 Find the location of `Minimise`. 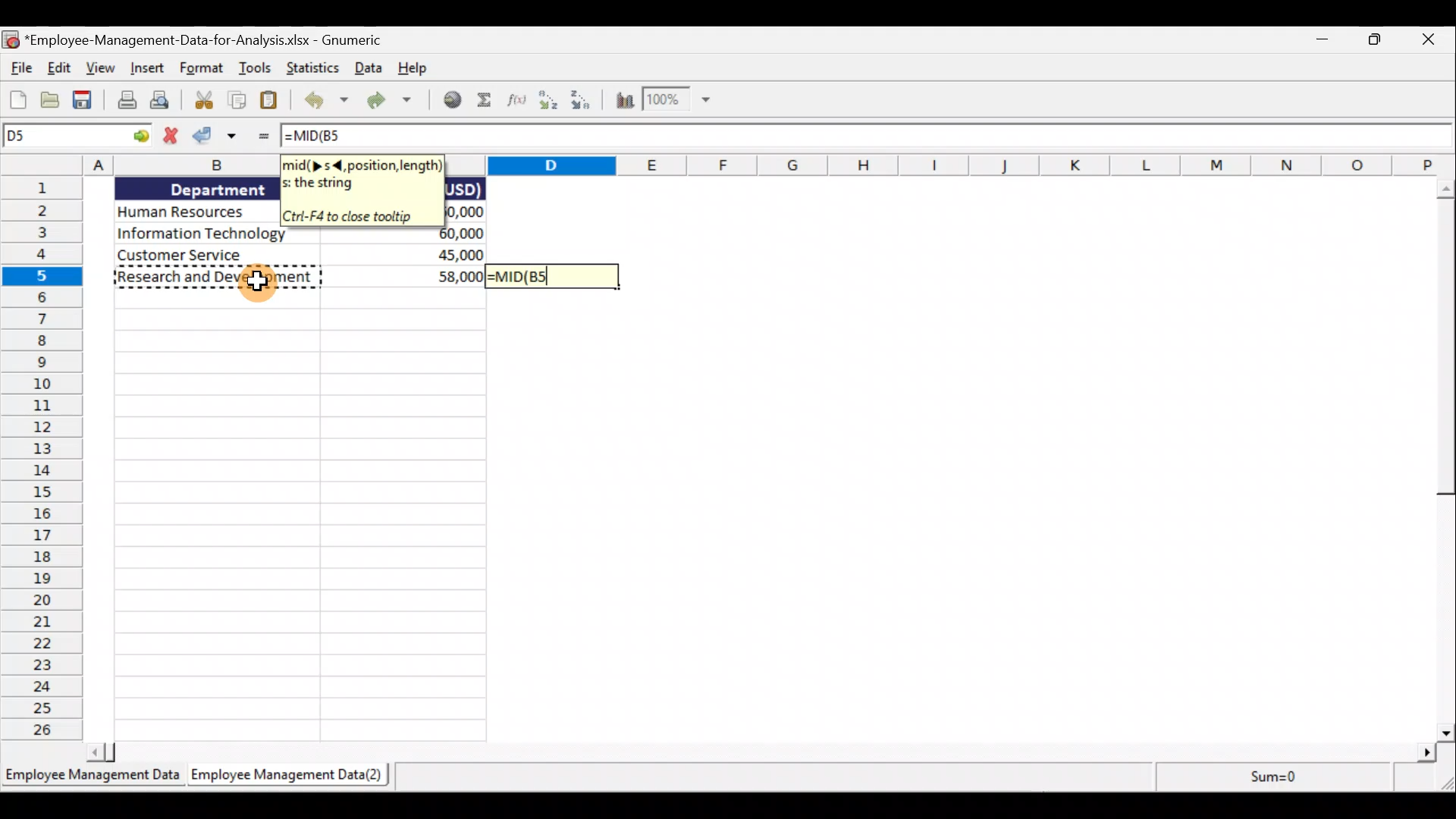

Minimise is located at coordinates (1326, 42).